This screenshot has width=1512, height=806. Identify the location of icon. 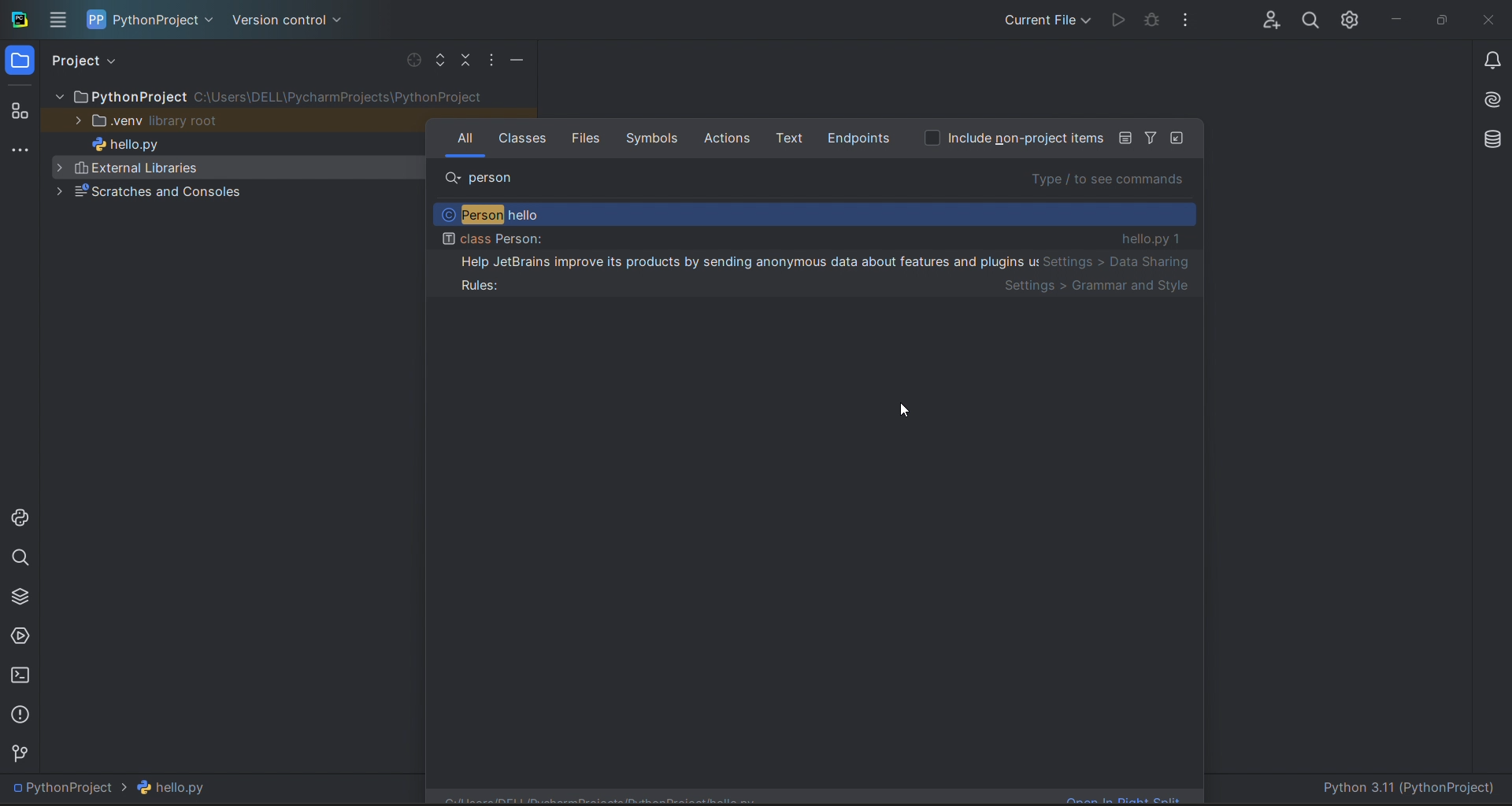
(1125, 139).